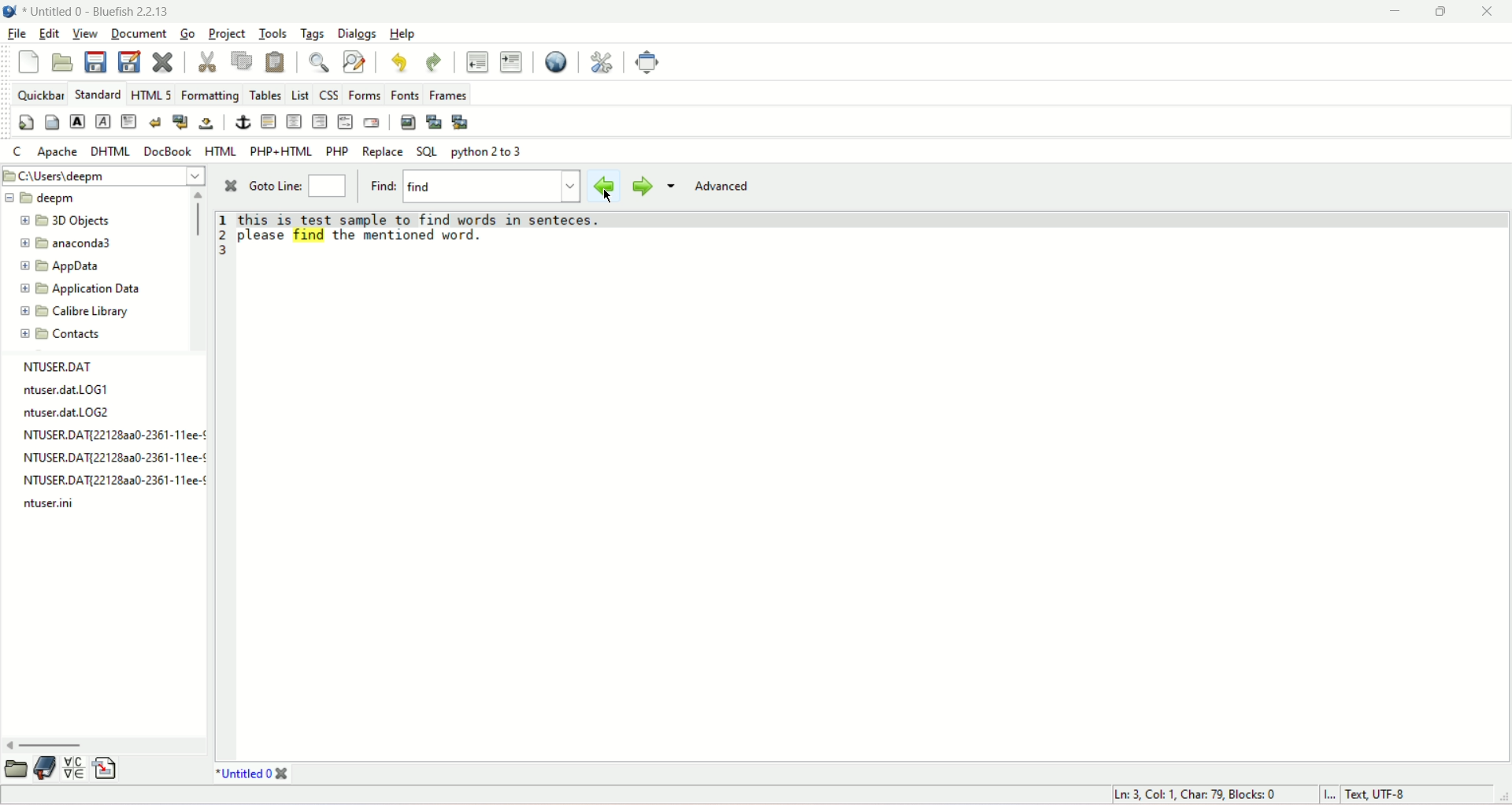 The height and width of the screenshot is (805, 1512). Describe the element at coordinates (402, 35) in the screenshot. I see `help` at that location.